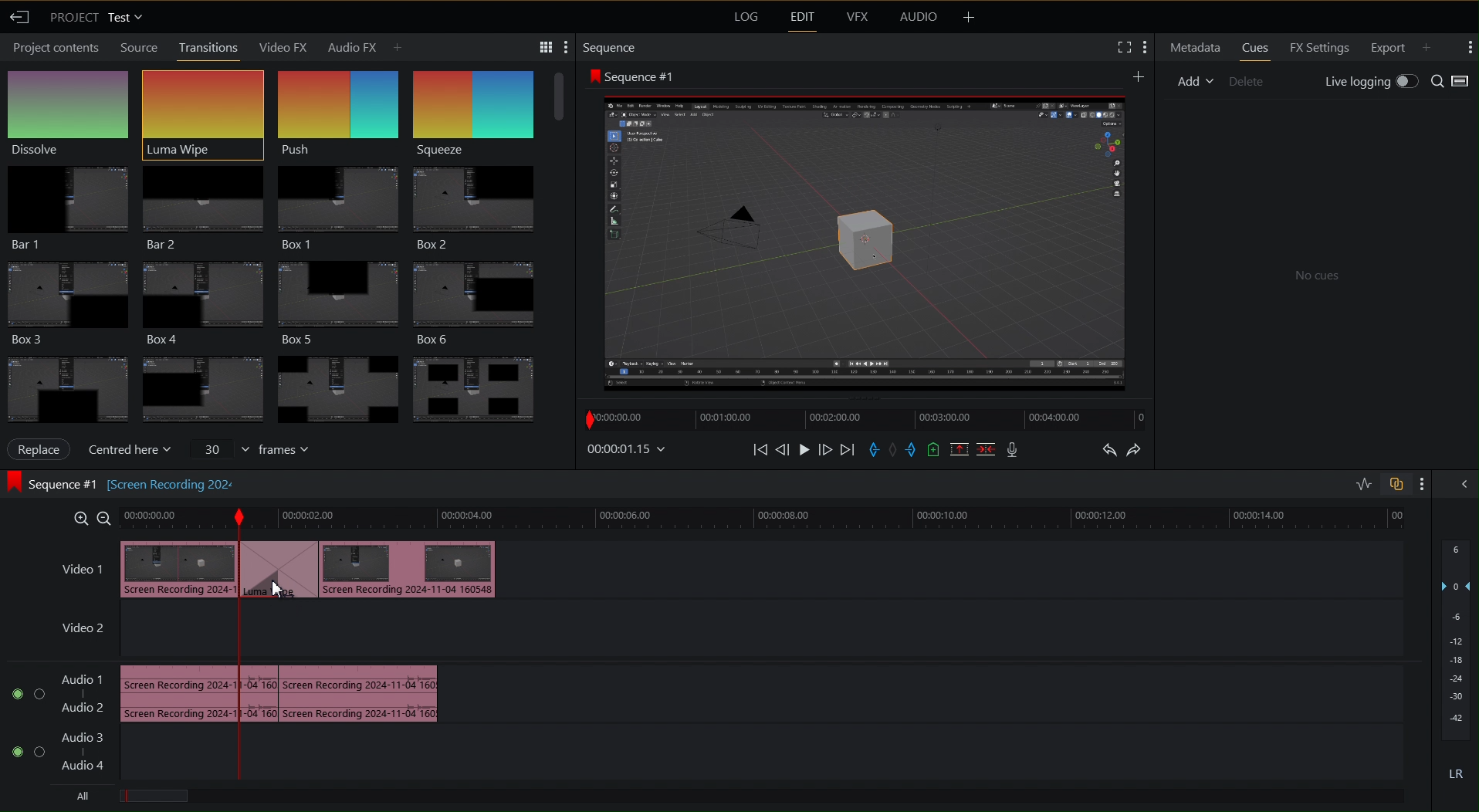  Describe the element at coordinates (1377, 484) in the screenshot. I see `Toggles` at that location.